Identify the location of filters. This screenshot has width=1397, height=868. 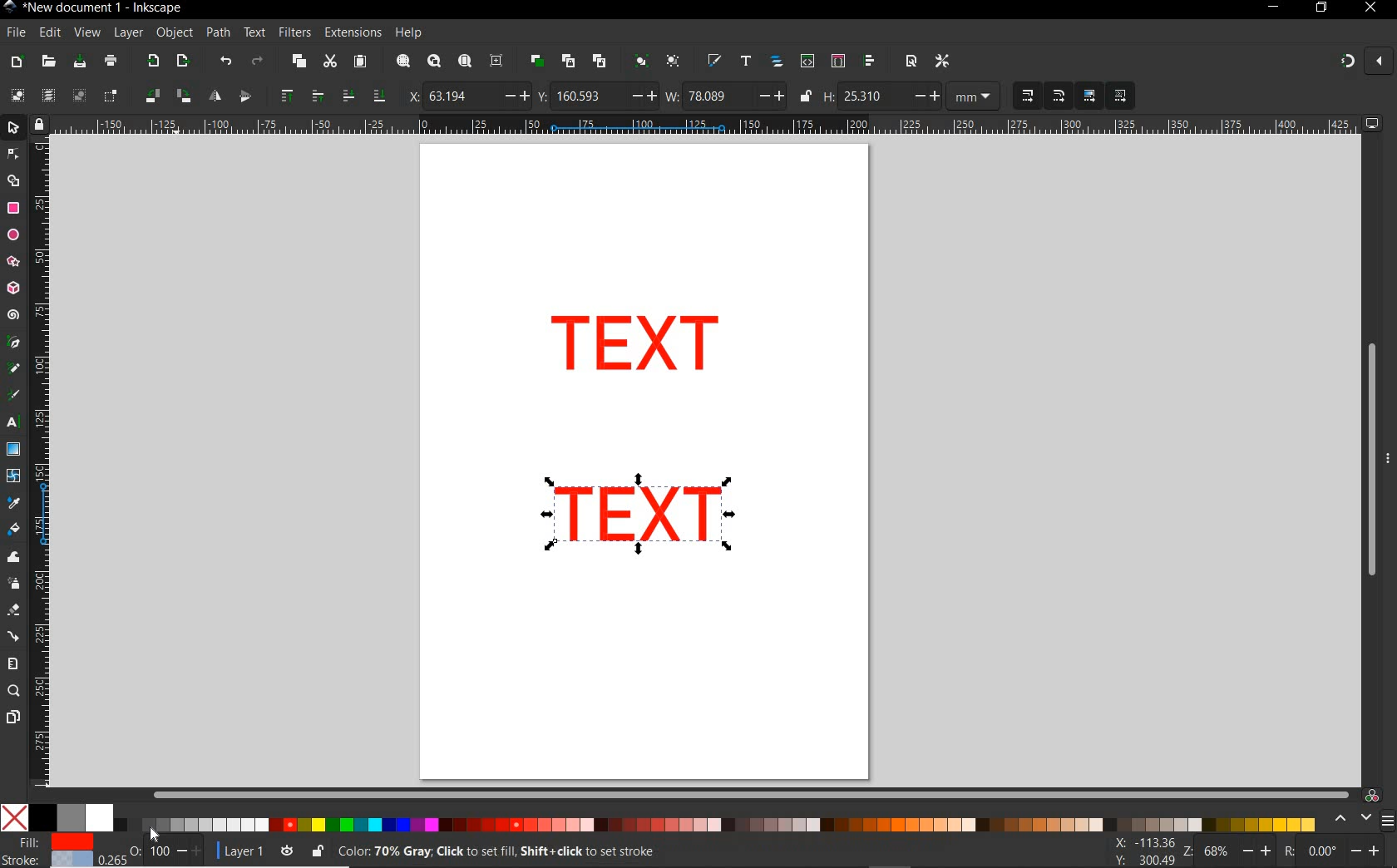
(294, 32).